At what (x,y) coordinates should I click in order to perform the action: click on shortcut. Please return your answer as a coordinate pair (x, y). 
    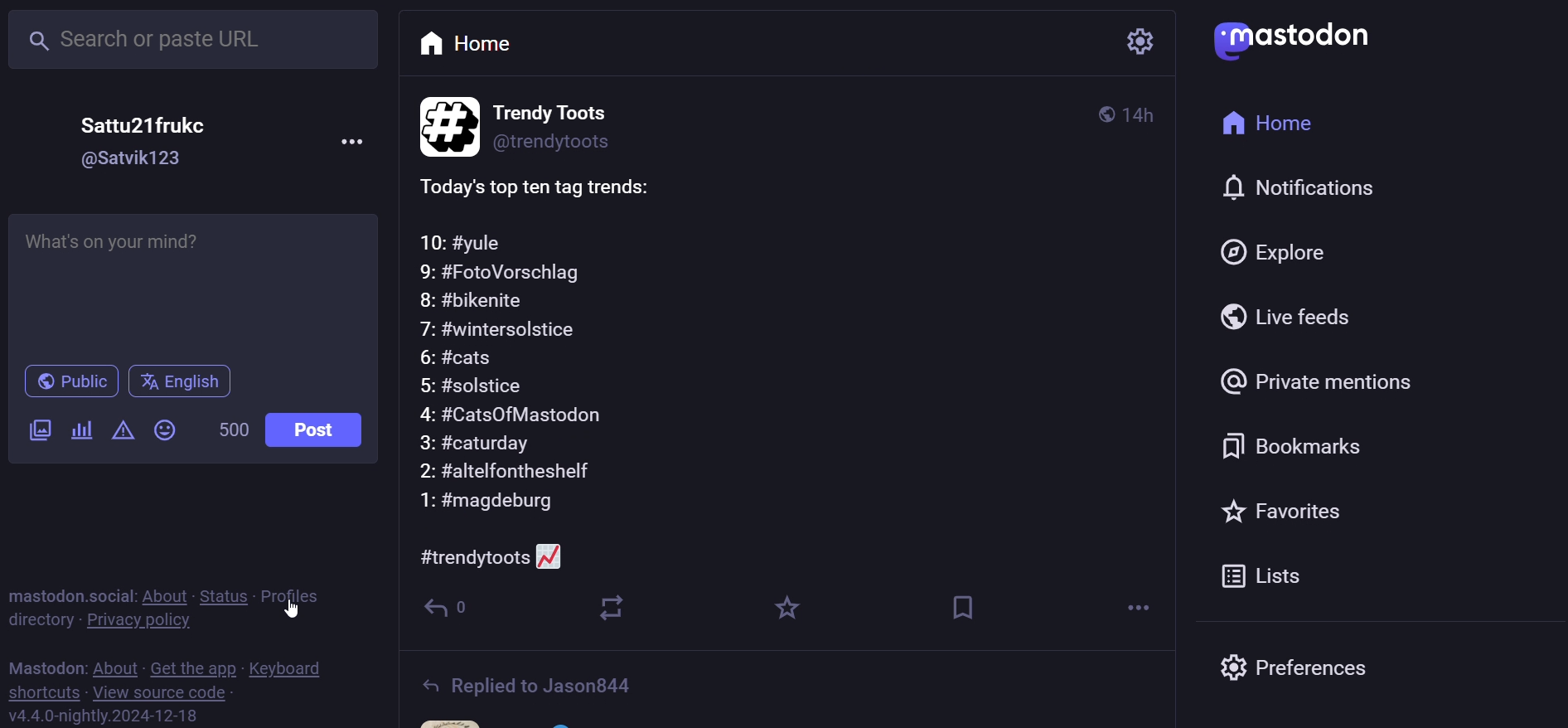
    Looking at the image, I should click on (38, 692).